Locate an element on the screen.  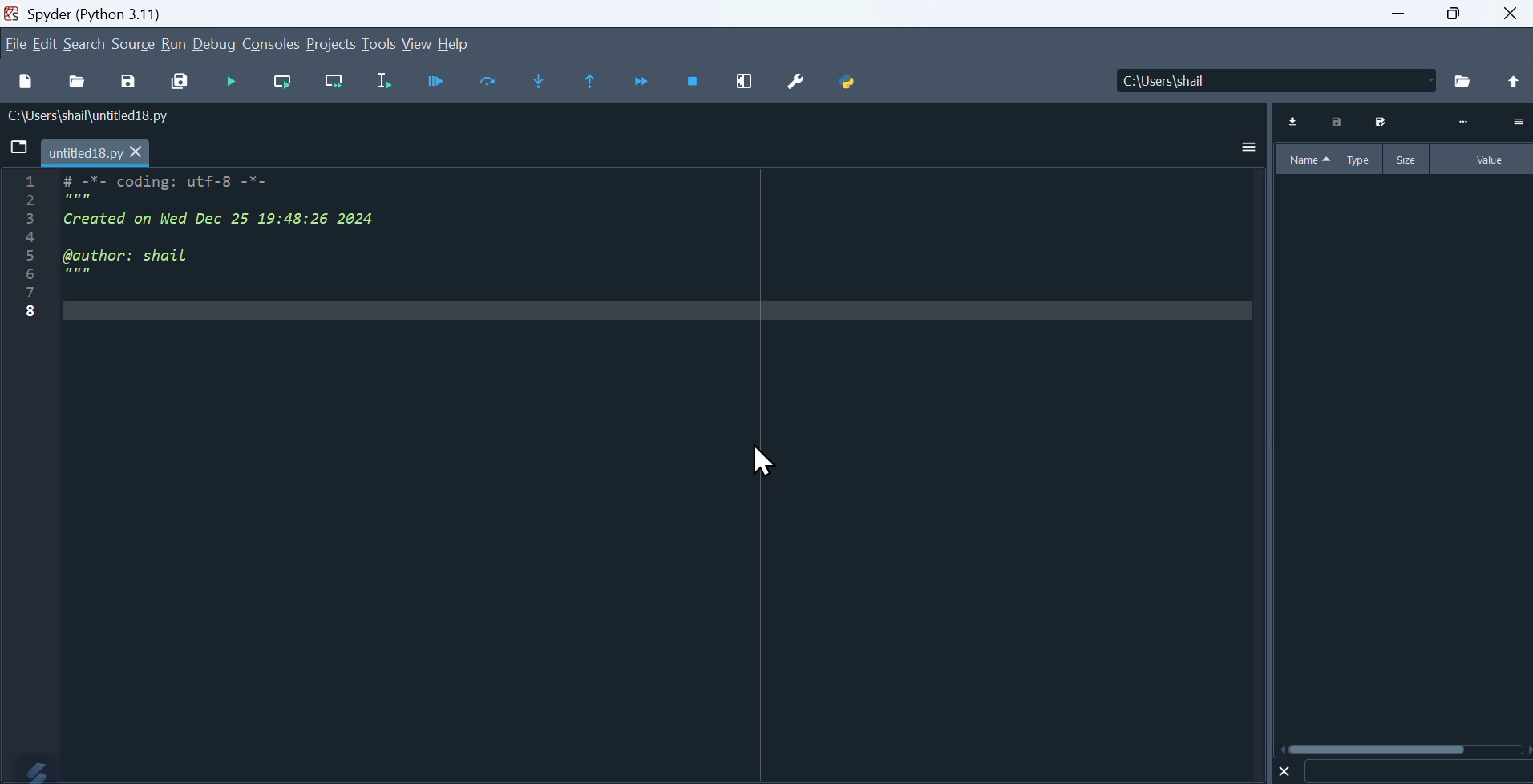
Option is located at coordinates (1517, 121).